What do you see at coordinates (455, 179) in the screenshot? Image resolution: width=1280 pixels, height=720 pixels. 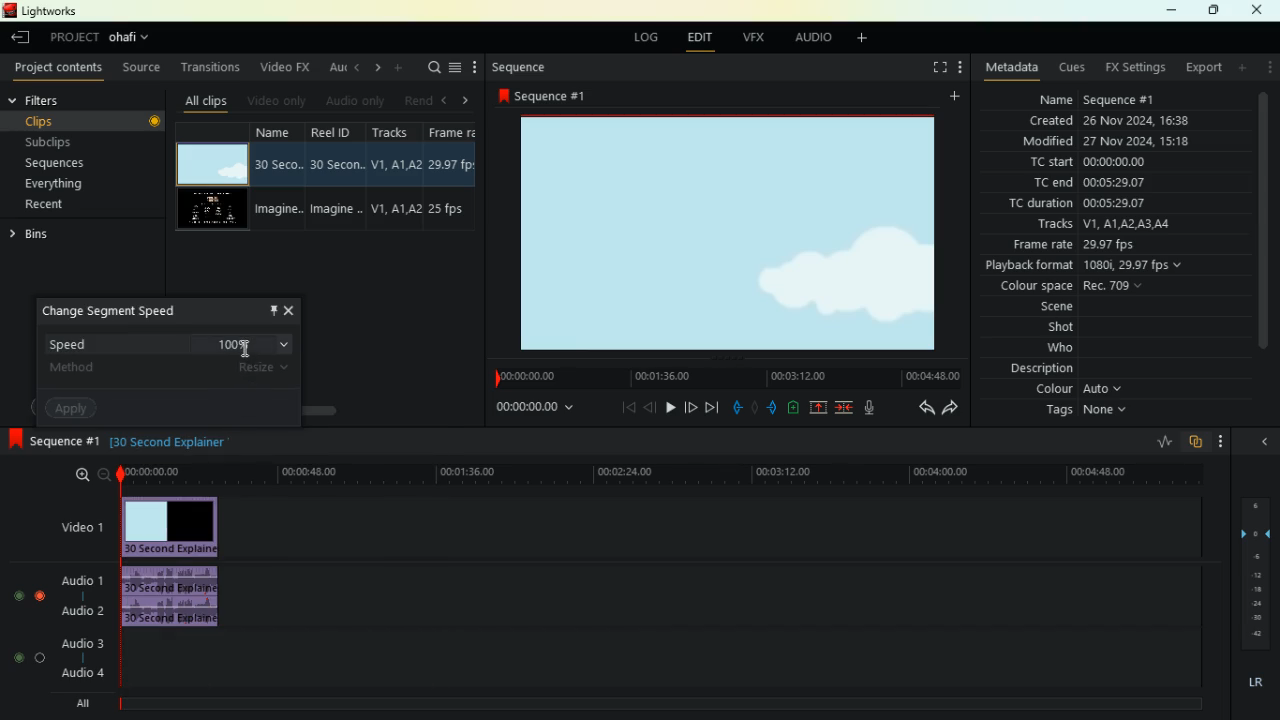 I see `fps` at bounding box center [455, 179].